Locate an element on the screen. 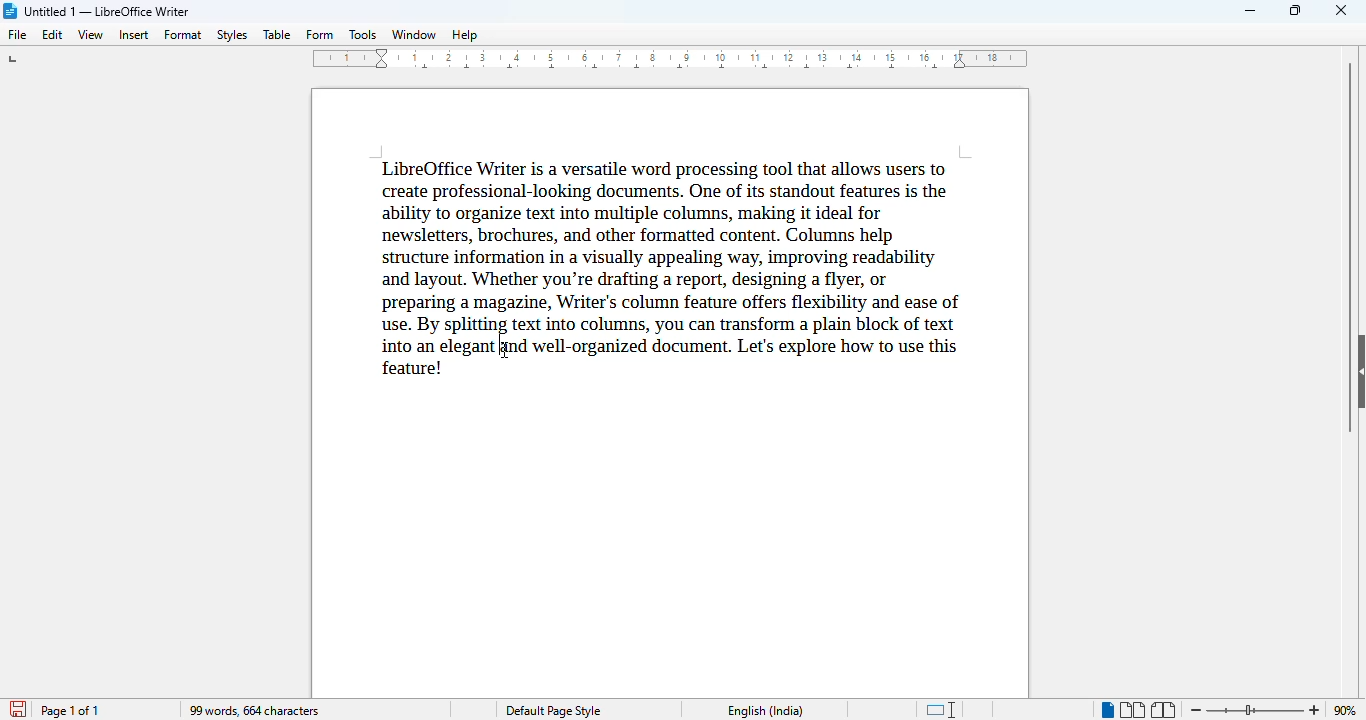 This screenshot has height=720, width=1366. LibreOffice Writer is a versatile word processing tool that allows users to create professional-looking documents. One of its standout features is the ability to organize text into multiple columns, making it ideal for newsletters, brochures, and other formatted content. Columns help structure information in a visually appealing way, improving readability and layout. Whether you're drafting a report, designing a flyer, or preparing a magazine, Writer's column feature offers flexibility and ease of use. By splitting text into columns, you can transform a plain block of text into an elegant and well-organized document. Let's explore how to use this feature! is located at coordinates (663, 269).